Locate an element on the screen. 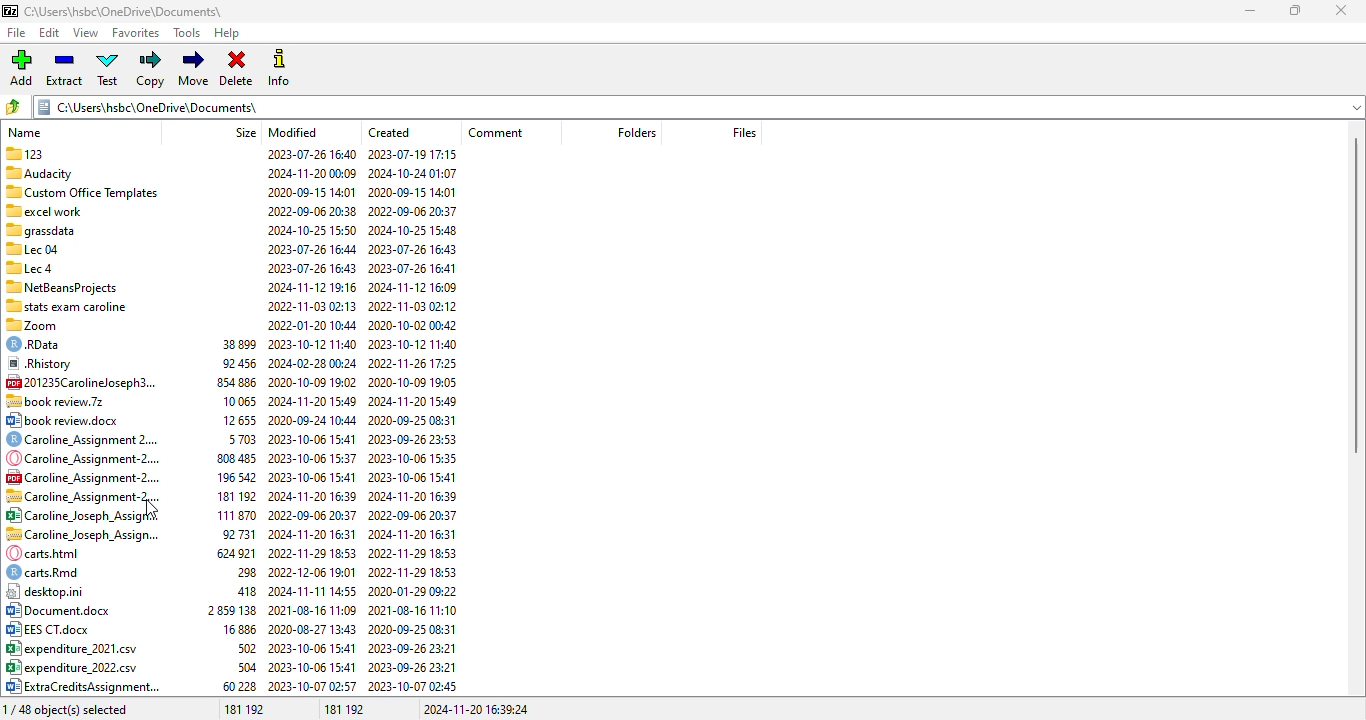 The height and width of the screenshot is (720, 1366). 1/48 object(s) selected is located at coordinates (67, 709).